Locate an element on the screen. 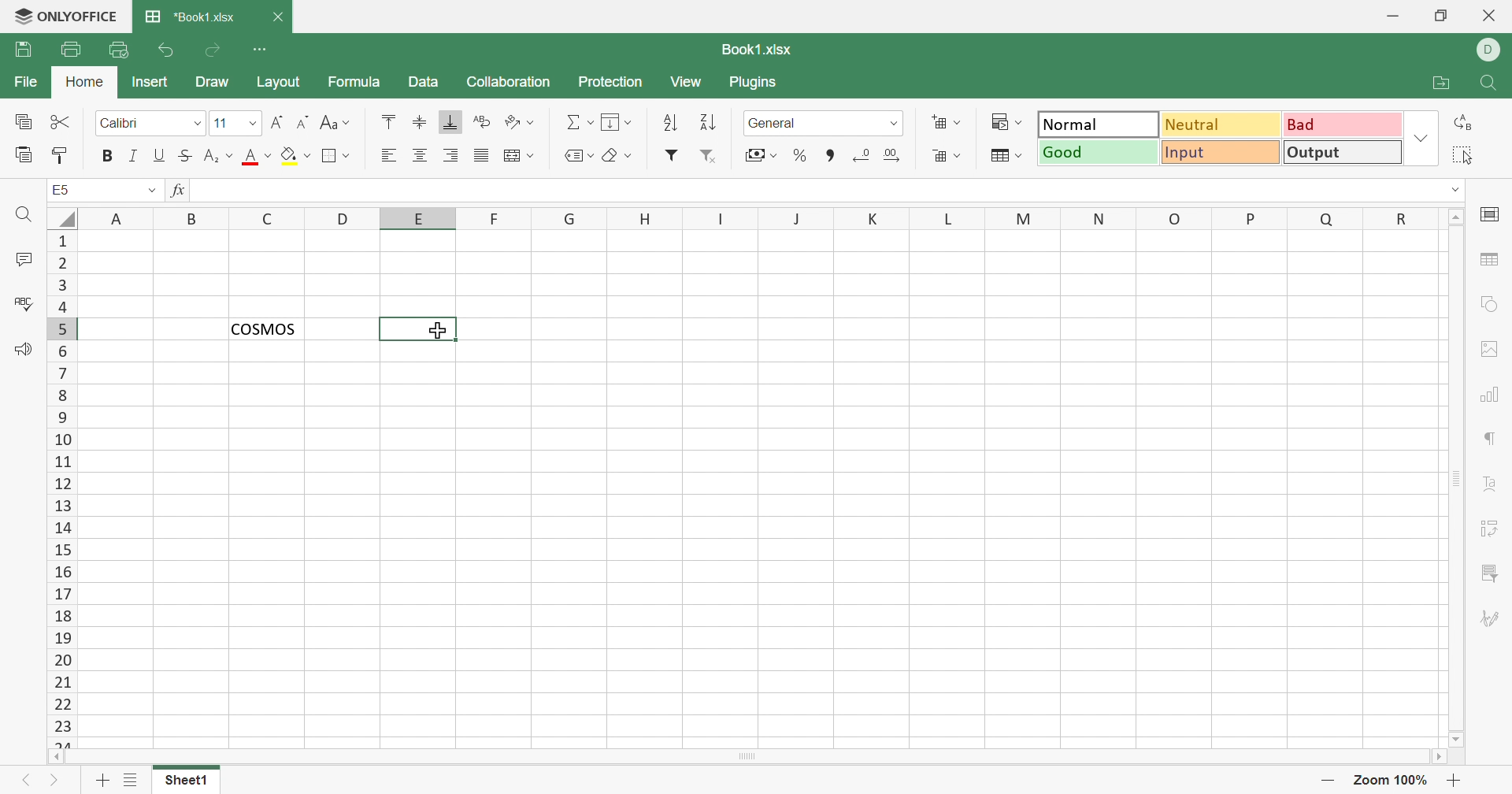 Image resolution: width=1512 pixels, height=794 pixels. Copy is located at coordinates (23, 121).